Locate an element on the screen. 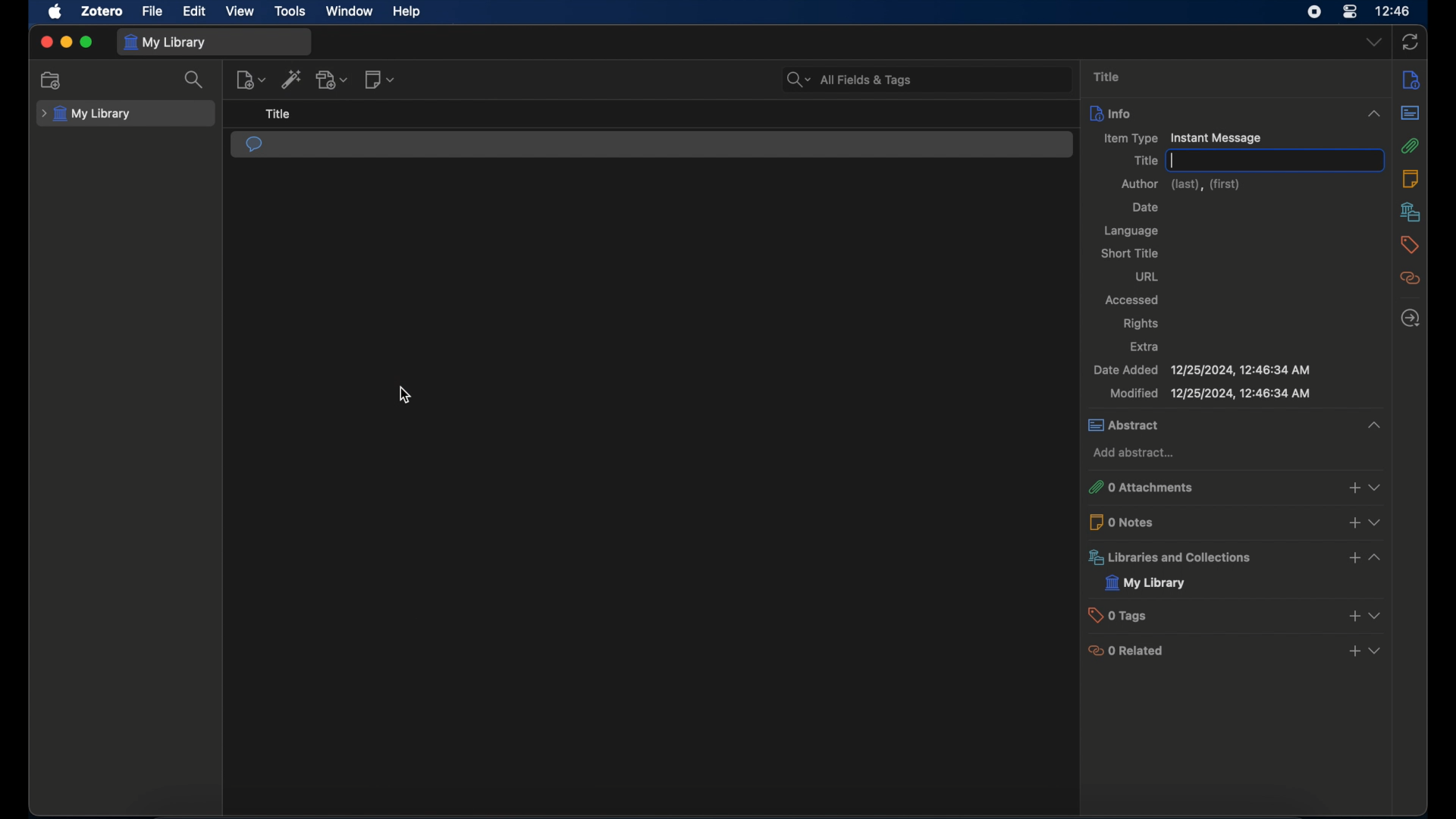 The width and height of the screenshot is (1456, 819). sync is located at coordinates (1410, 42).